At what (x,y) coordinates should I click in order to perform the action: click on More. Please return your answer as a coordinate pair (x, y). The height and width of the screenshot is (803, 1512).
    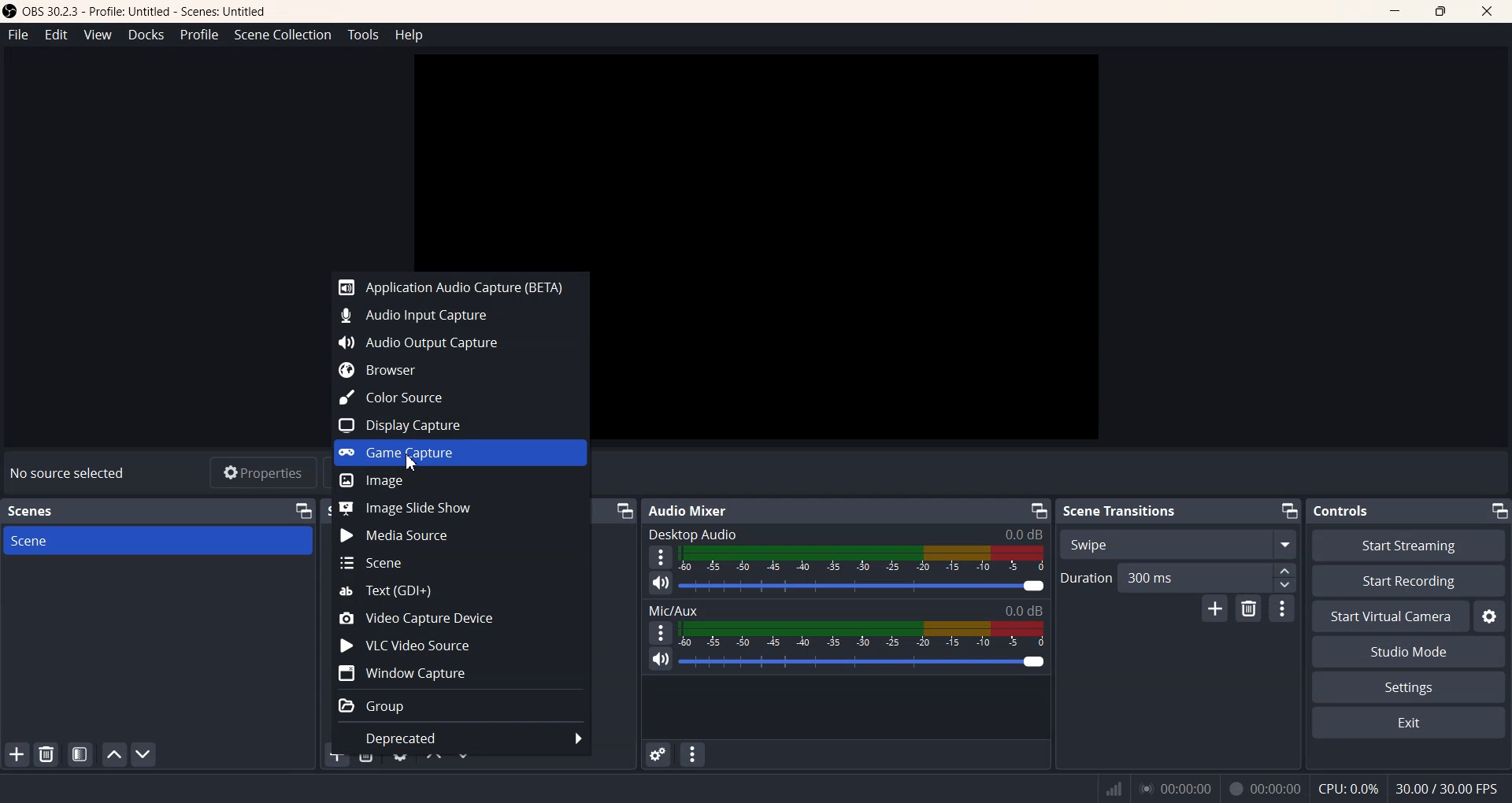
    Looking at the image, I should click on (661, 557).